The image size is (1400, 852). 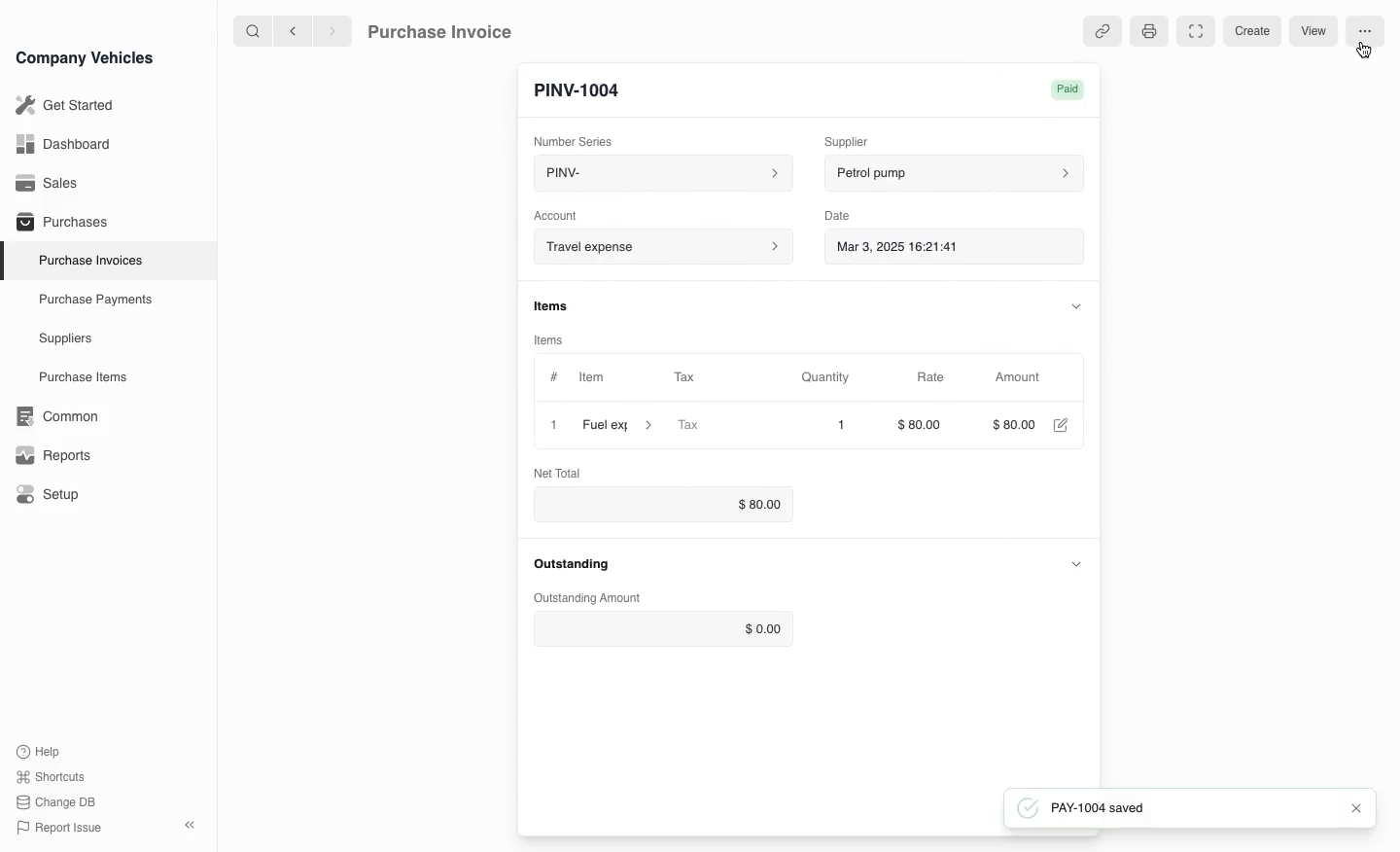 I want to click on 1, so click(x=554, y=425).